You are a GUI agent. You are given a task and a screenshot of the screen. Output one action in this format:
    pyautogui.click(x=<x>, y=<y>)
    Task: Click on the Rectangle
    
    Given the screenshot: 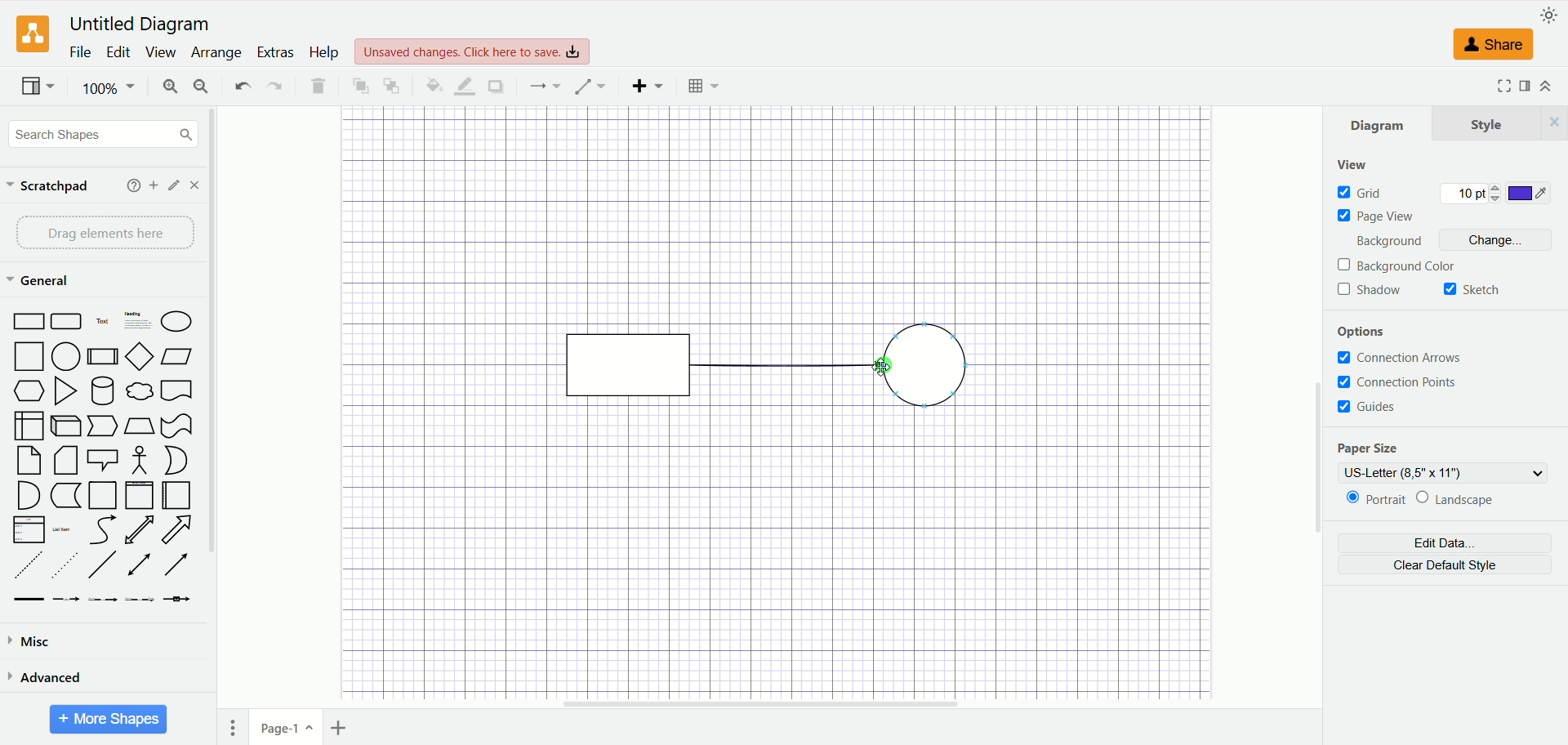 What is the action you would take?
    pyautogui.click(x=30, y=321)
    